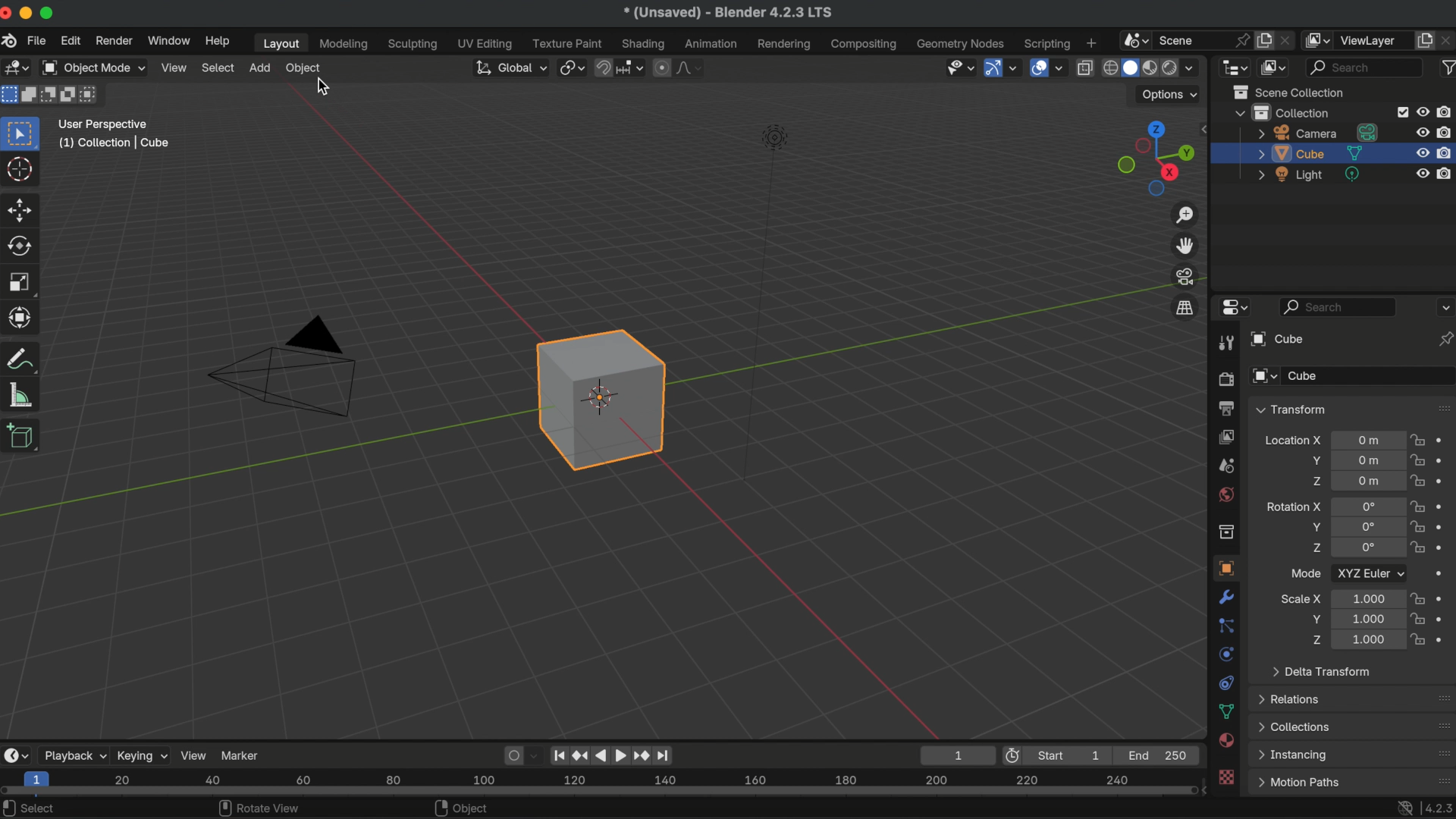  Describe the element at coordinates (1228, 778) in the screenshot. I see `texture` at that location.